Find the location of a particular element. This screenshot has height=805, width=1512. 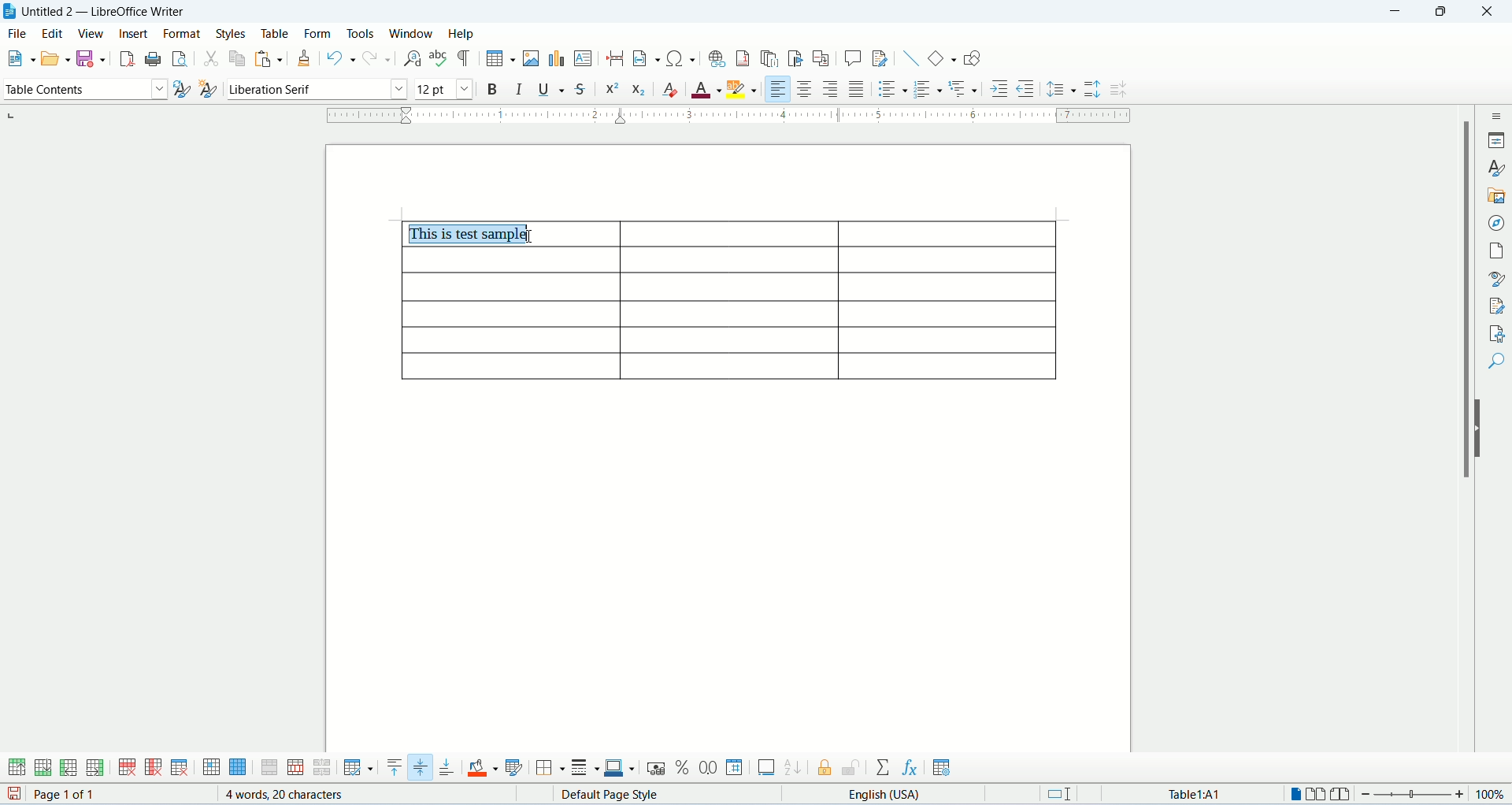

table is located at coordinates (280, 33).